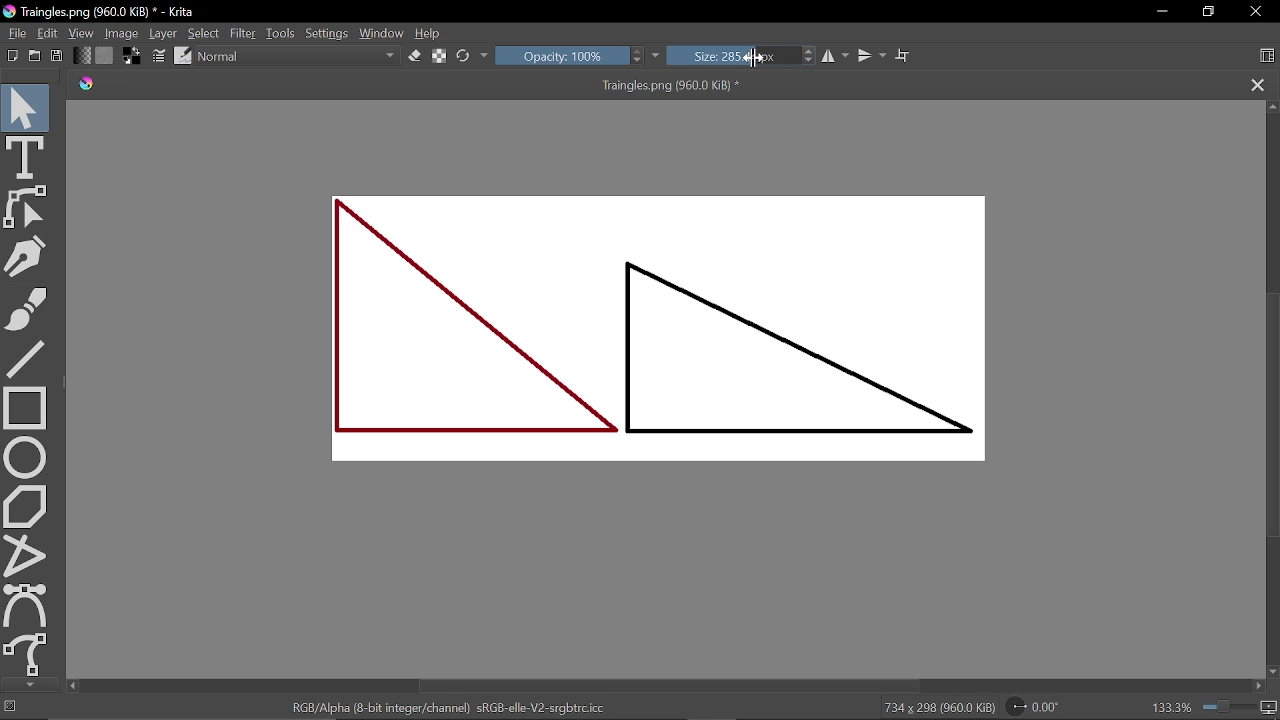  I want to click on Polyline tool, so click(26, 555).